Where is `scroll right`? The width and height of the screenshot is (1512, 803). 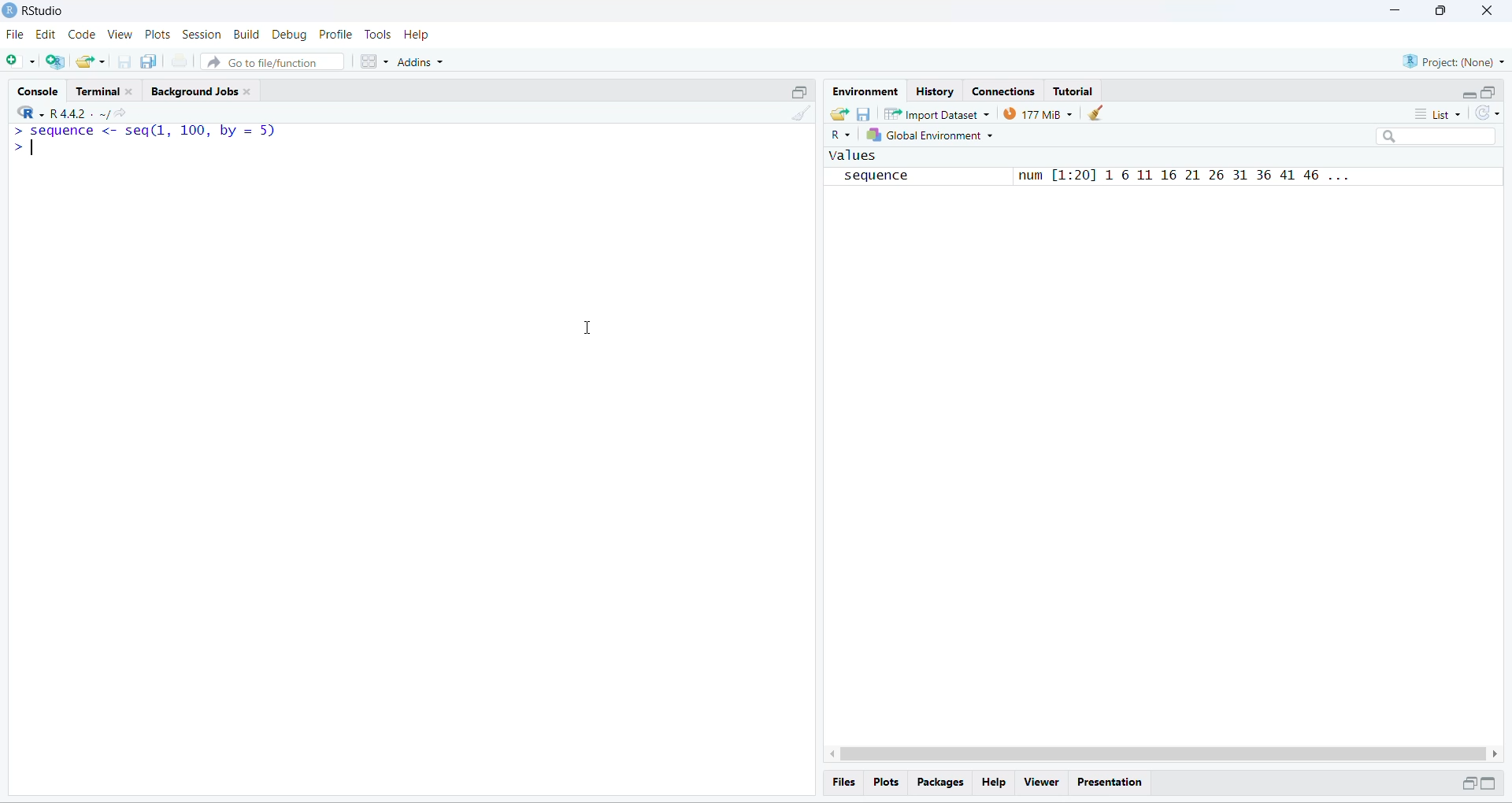
scroll right is located at coordinates (1496, 754).